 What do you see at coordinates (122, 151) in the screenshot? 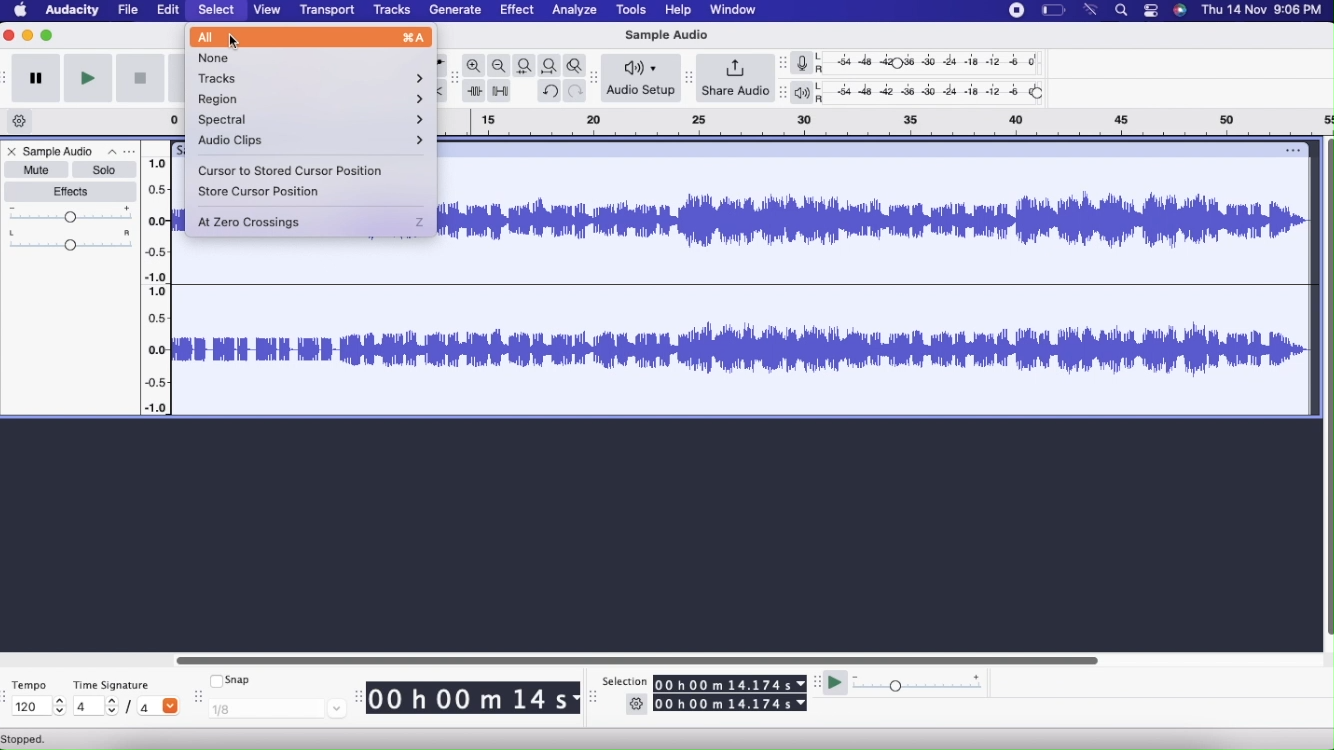
I see `Options` at bounding box center [122, 151].